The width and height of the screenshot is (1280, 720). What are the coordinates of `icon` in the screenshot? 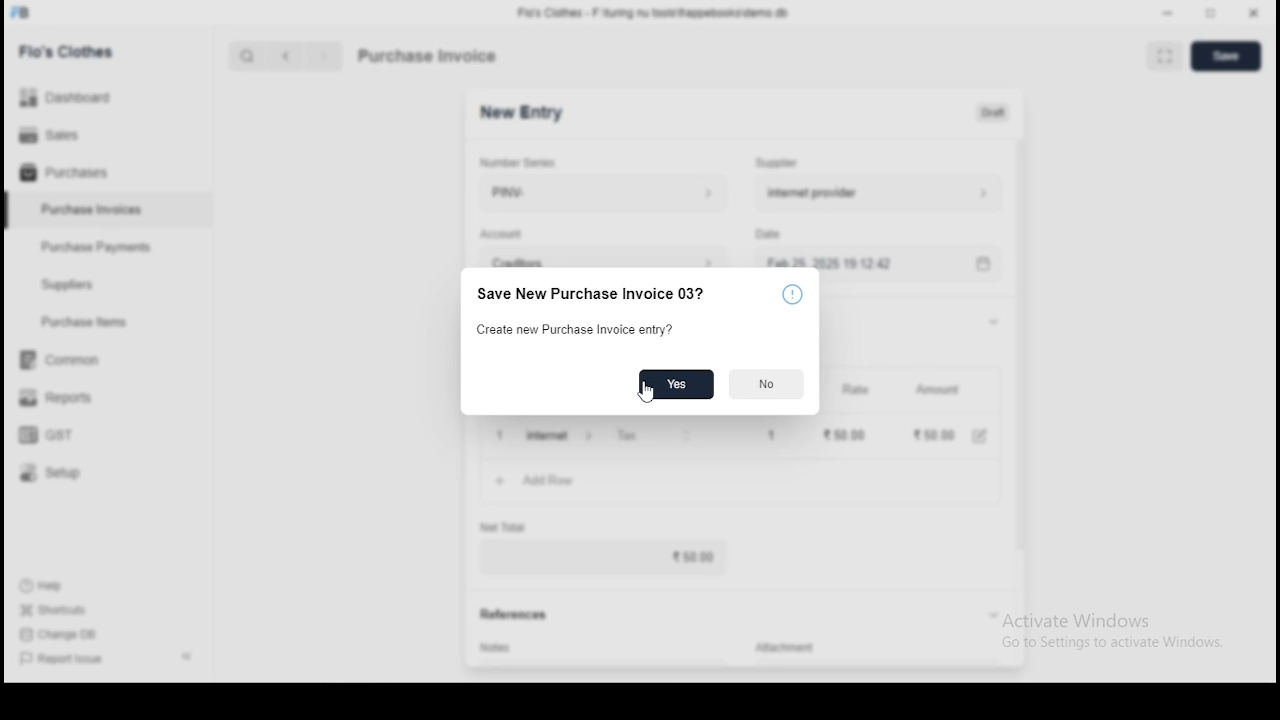 It's located at (793, 293).